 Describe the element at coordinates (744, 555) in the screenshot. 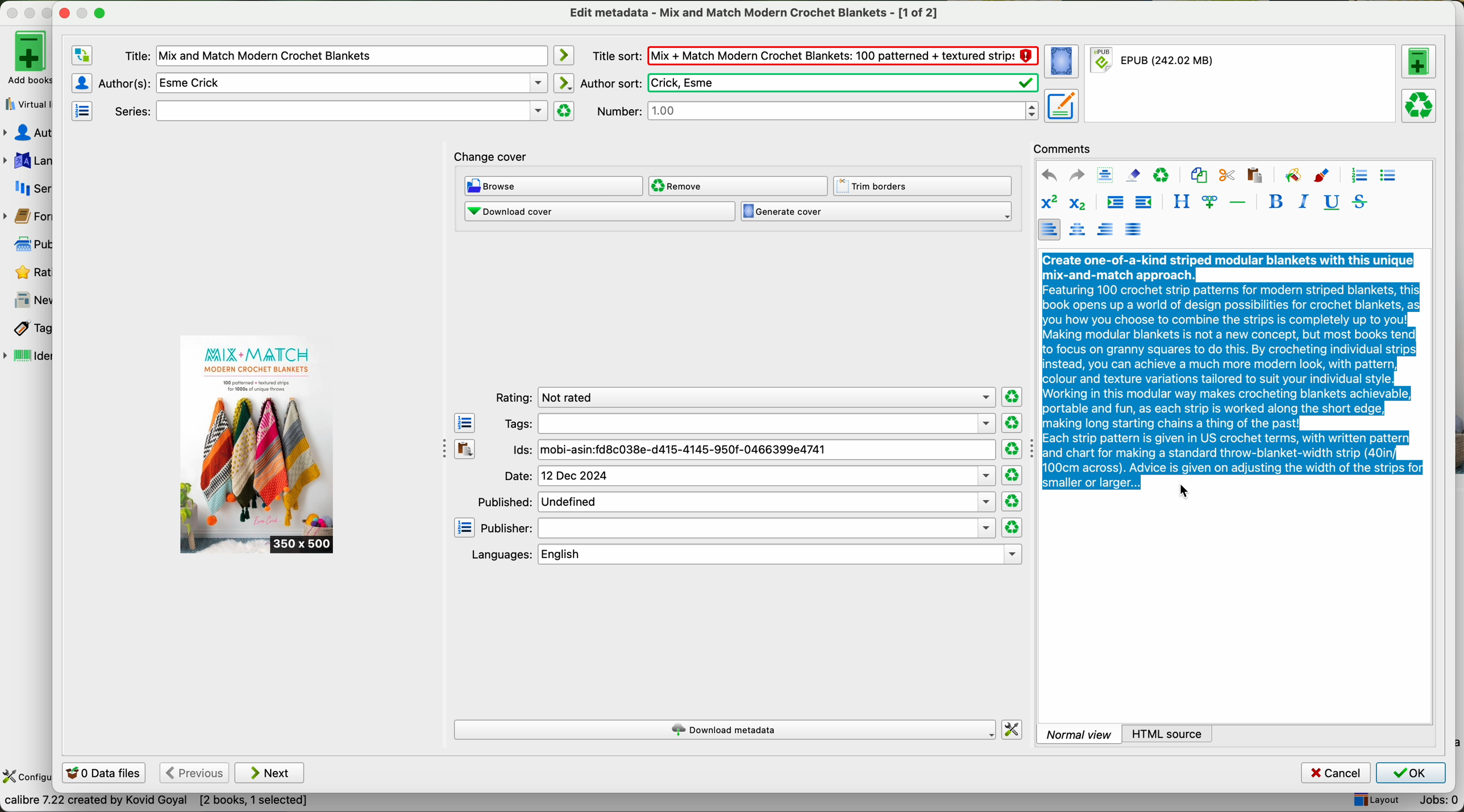

I see `languages` at that location.